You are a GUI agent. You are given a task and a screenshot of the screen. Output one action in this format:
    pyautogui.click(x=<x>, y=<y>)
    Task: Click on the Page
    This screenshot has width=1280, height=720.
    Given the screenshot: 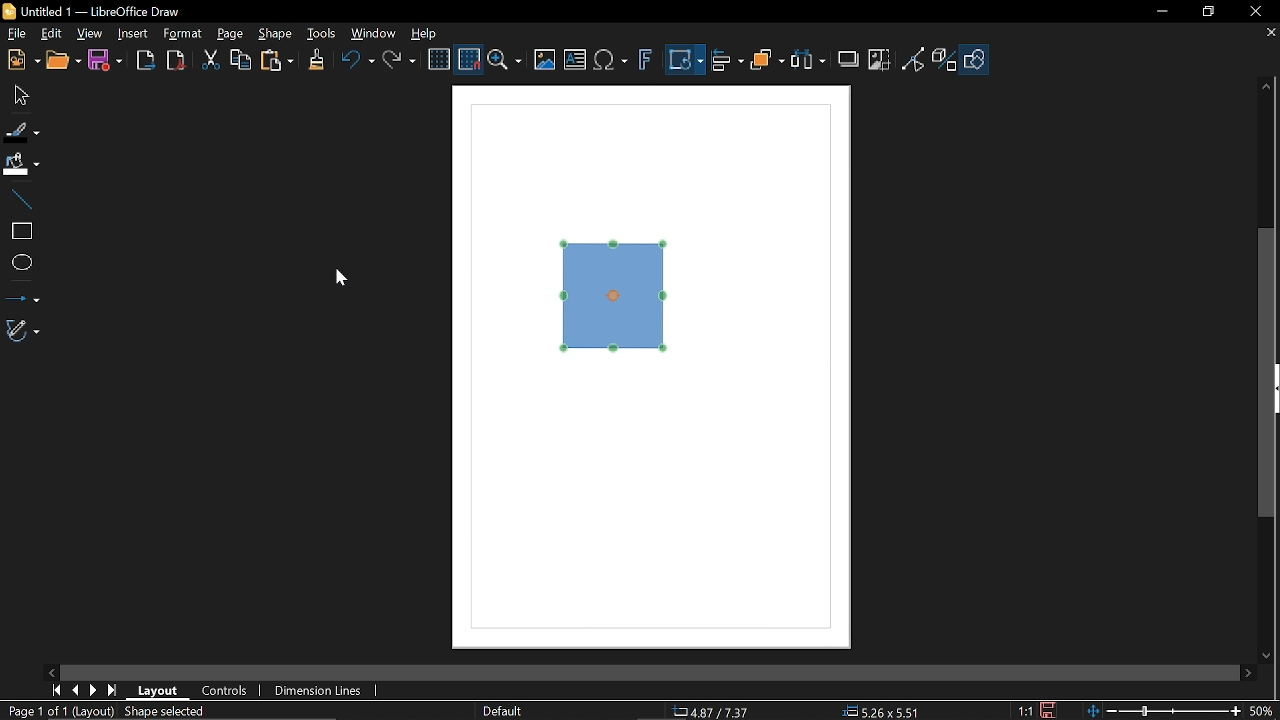 What is the action you would take?
    pyautogui.click(x=230, y=34)
    